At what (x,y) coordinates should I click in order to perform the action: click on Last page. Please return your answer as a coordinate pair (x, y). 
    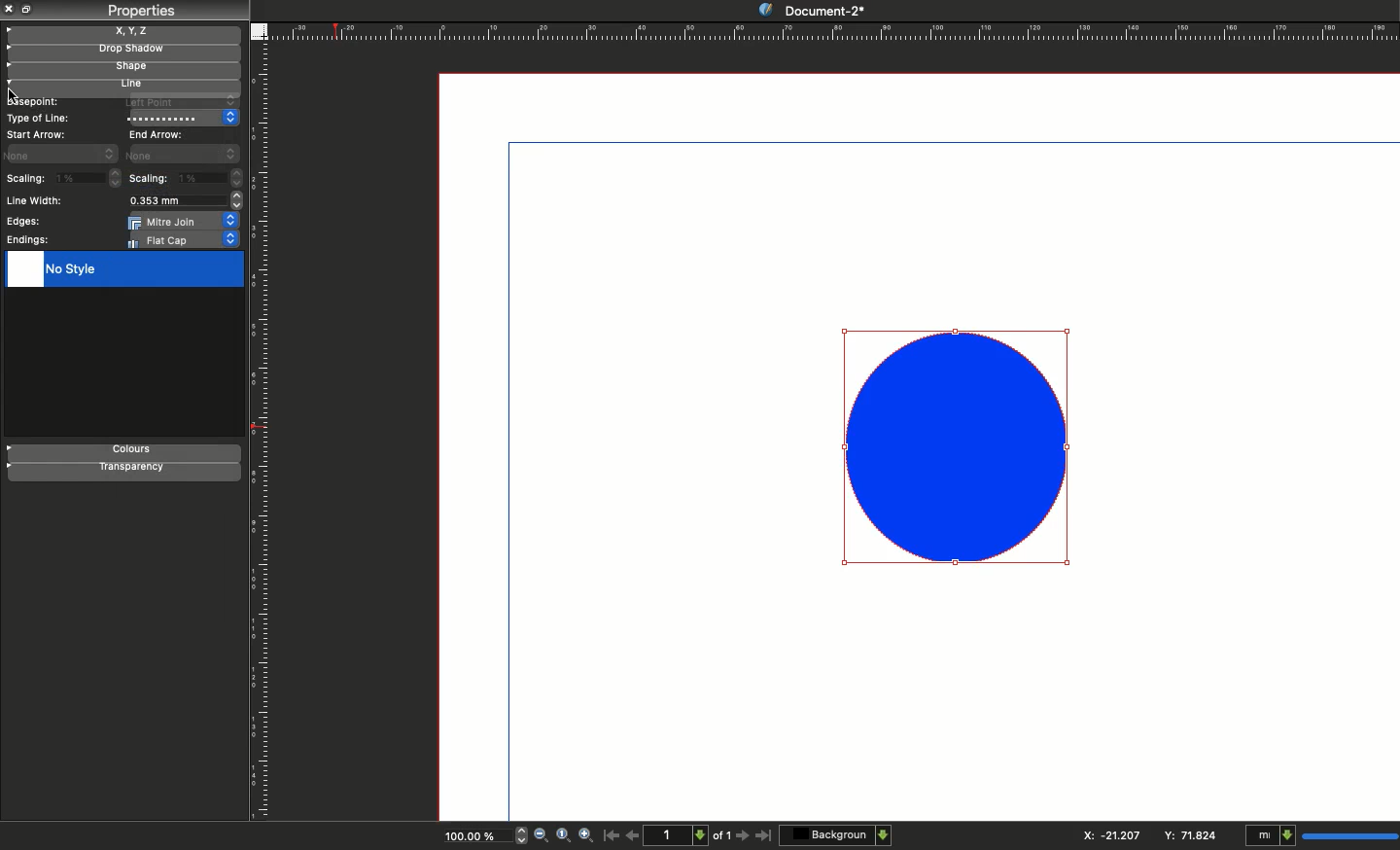
    Looking at the image, I should click on (764, 836).